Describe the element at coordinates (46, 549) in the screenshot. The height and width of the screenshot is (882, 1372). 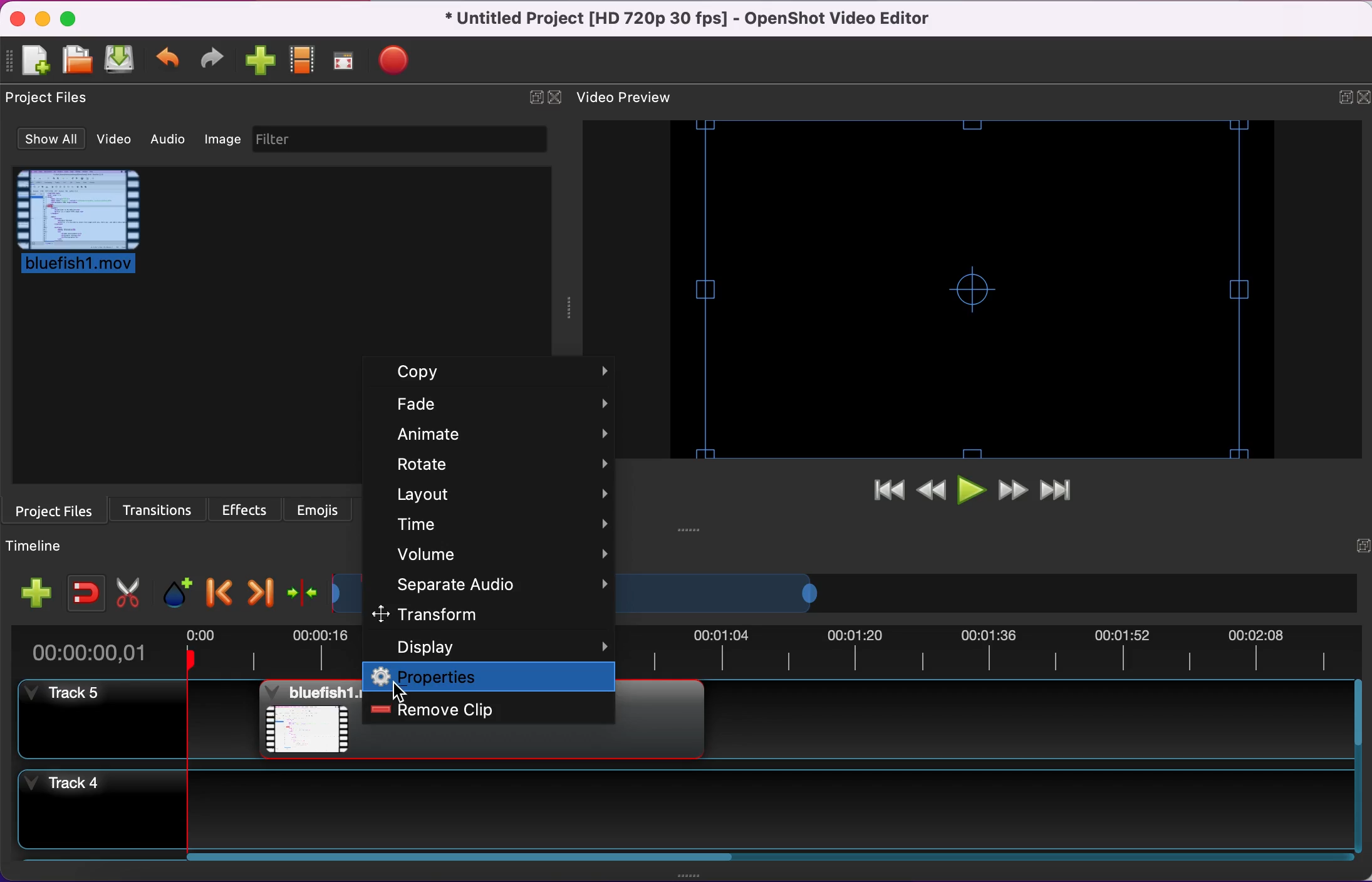
I see `timeline` at that location.